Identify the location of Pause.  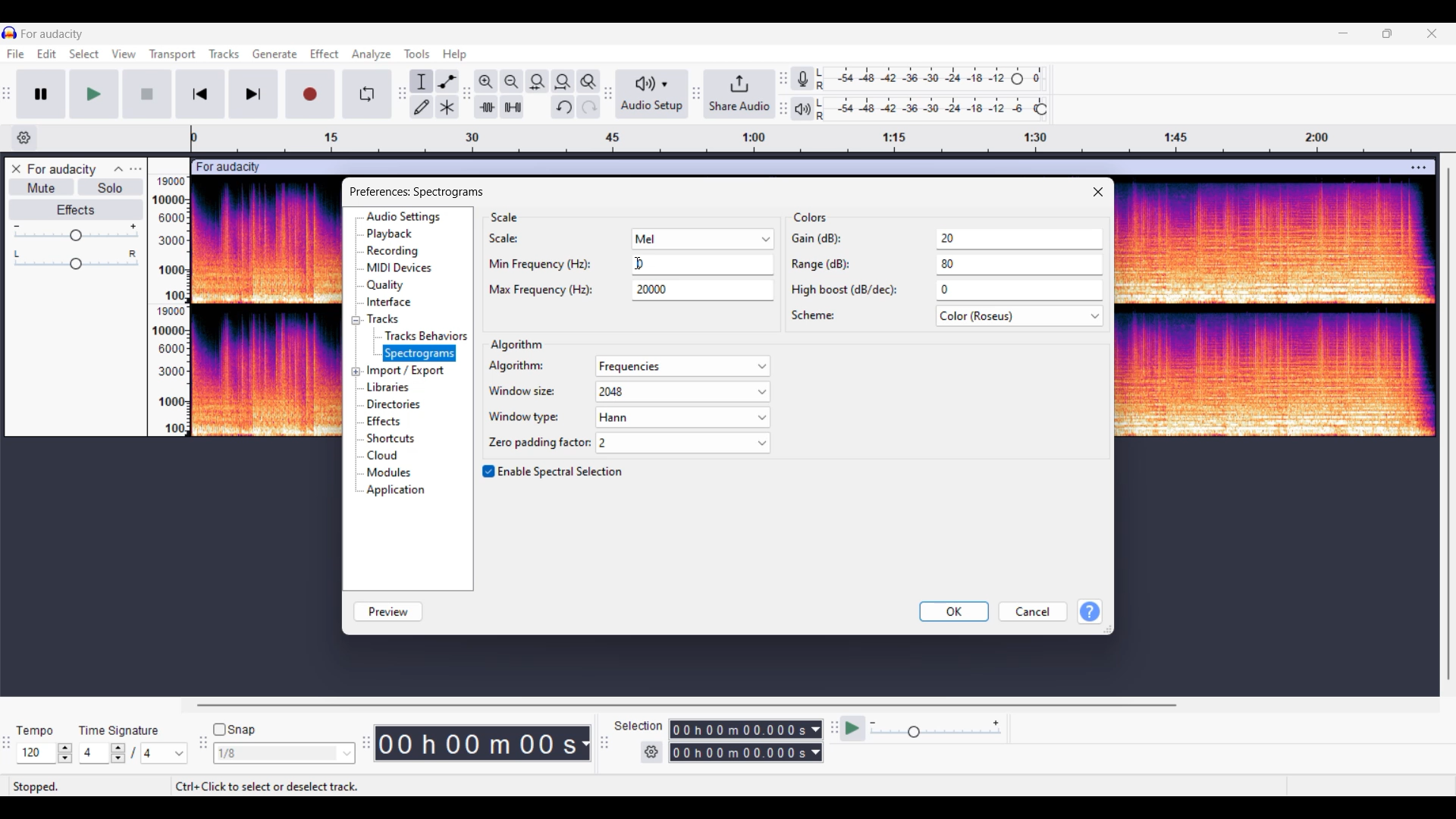
(42, 94).